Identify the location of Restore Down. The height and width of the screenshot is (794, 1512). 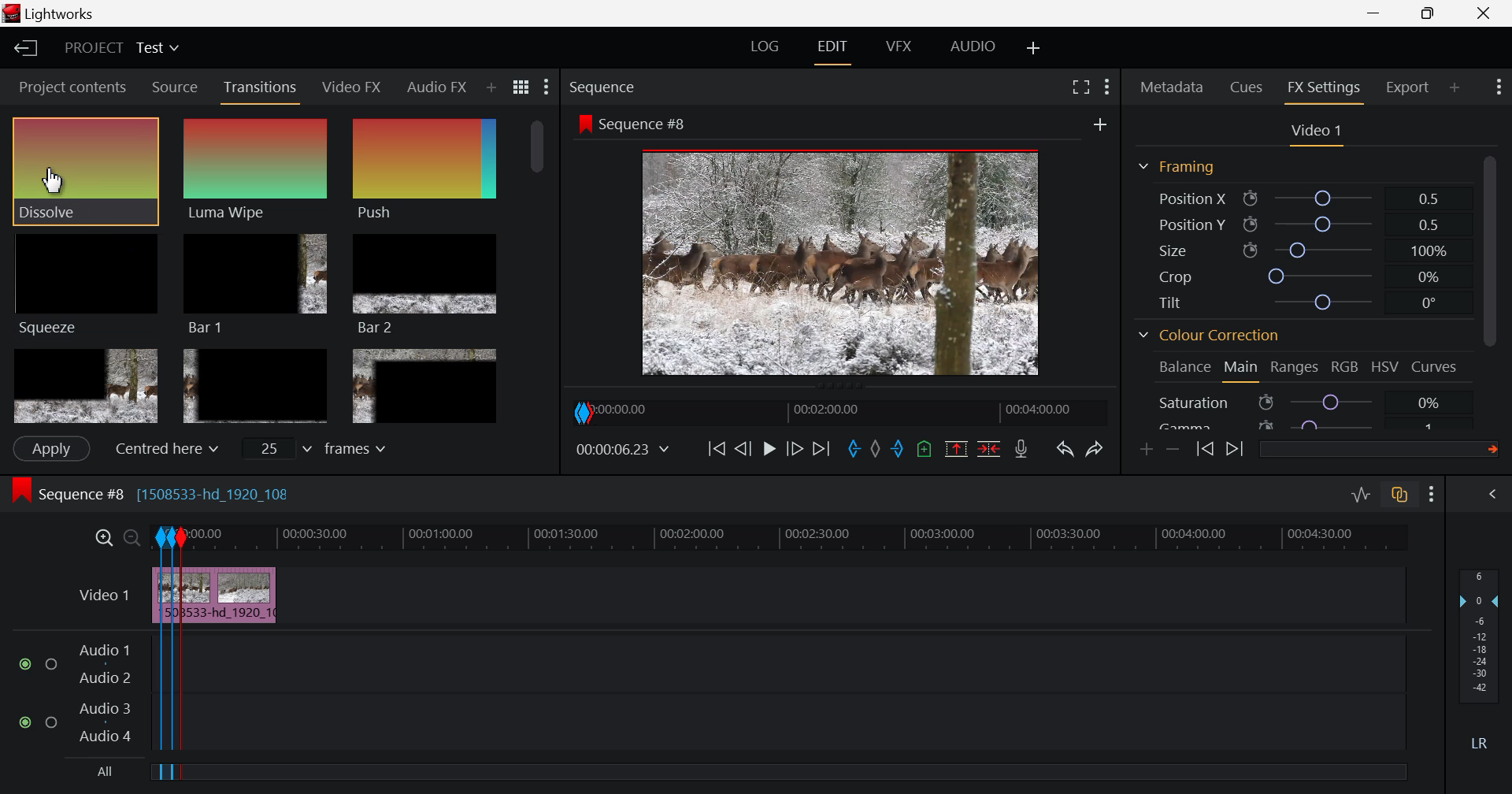
(1378, 13).